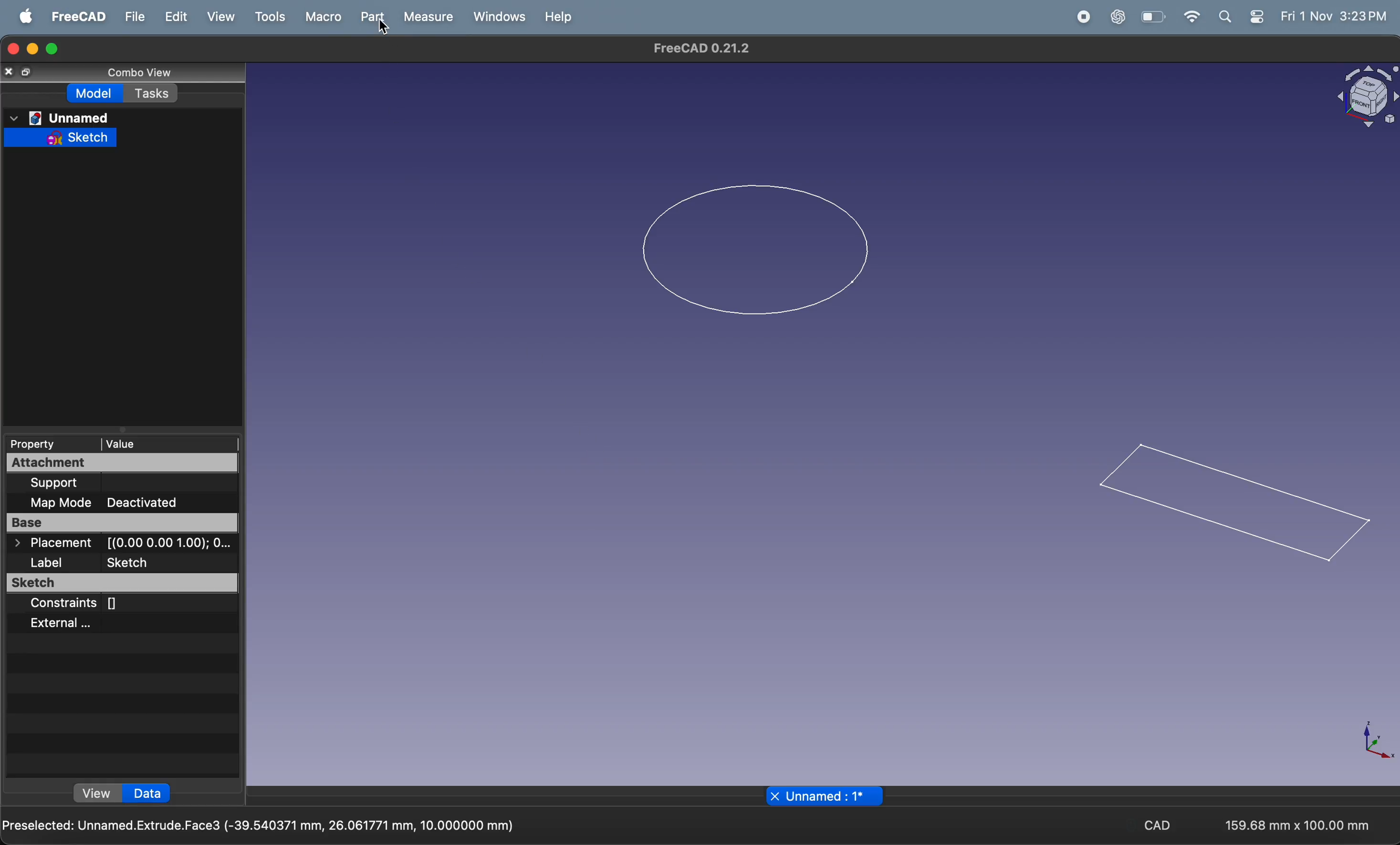 The width and height of the screenshot is (1400, 845). What do you see at coordinates (1332, 15) in the screenshot?
I see `Fri 1 Nov  3:23 PM` at bounding box center [1332, 15].